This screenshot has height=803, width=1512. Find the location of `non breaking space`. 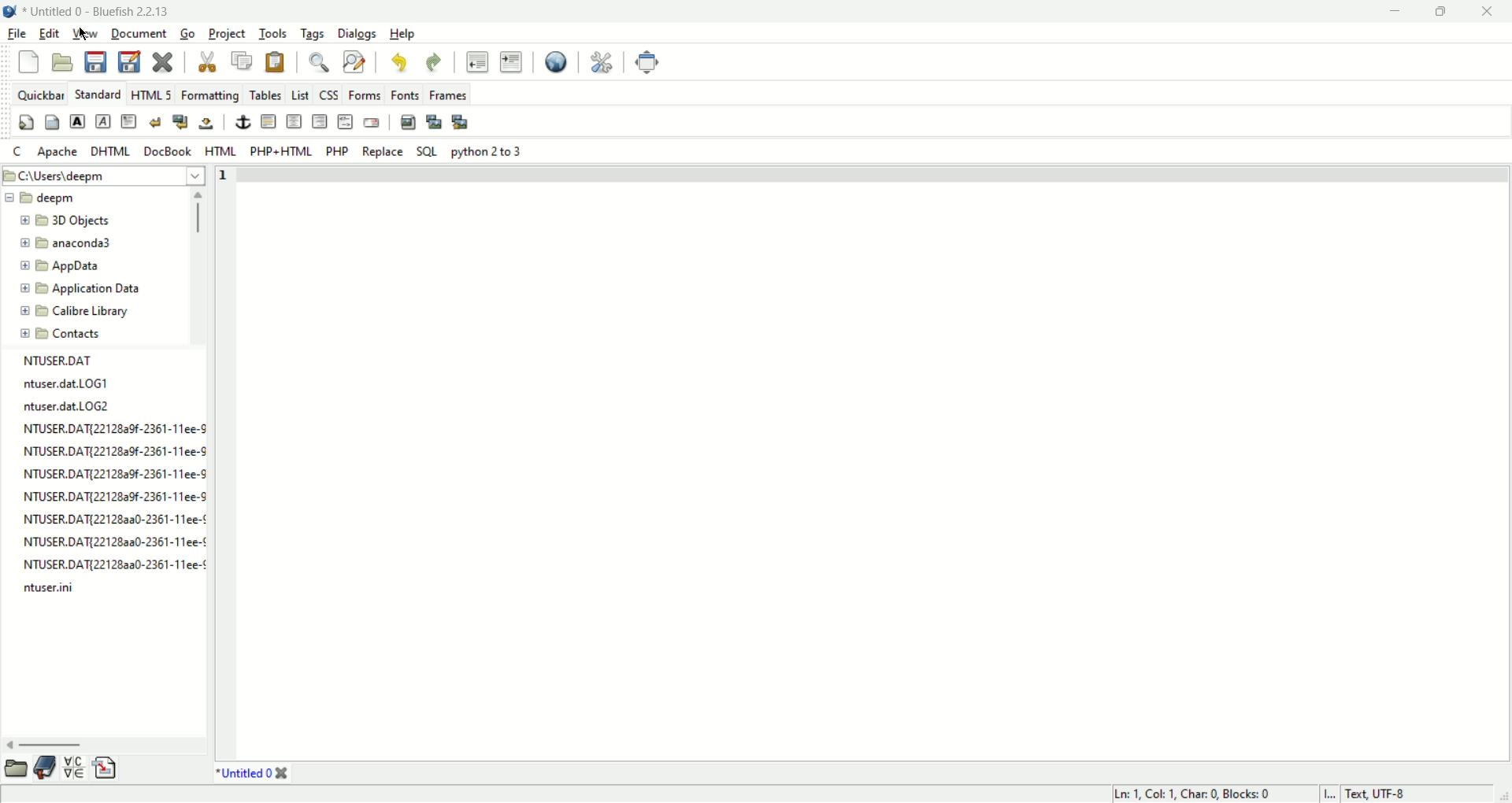

non breaking space is located at coordinates (207, 124).